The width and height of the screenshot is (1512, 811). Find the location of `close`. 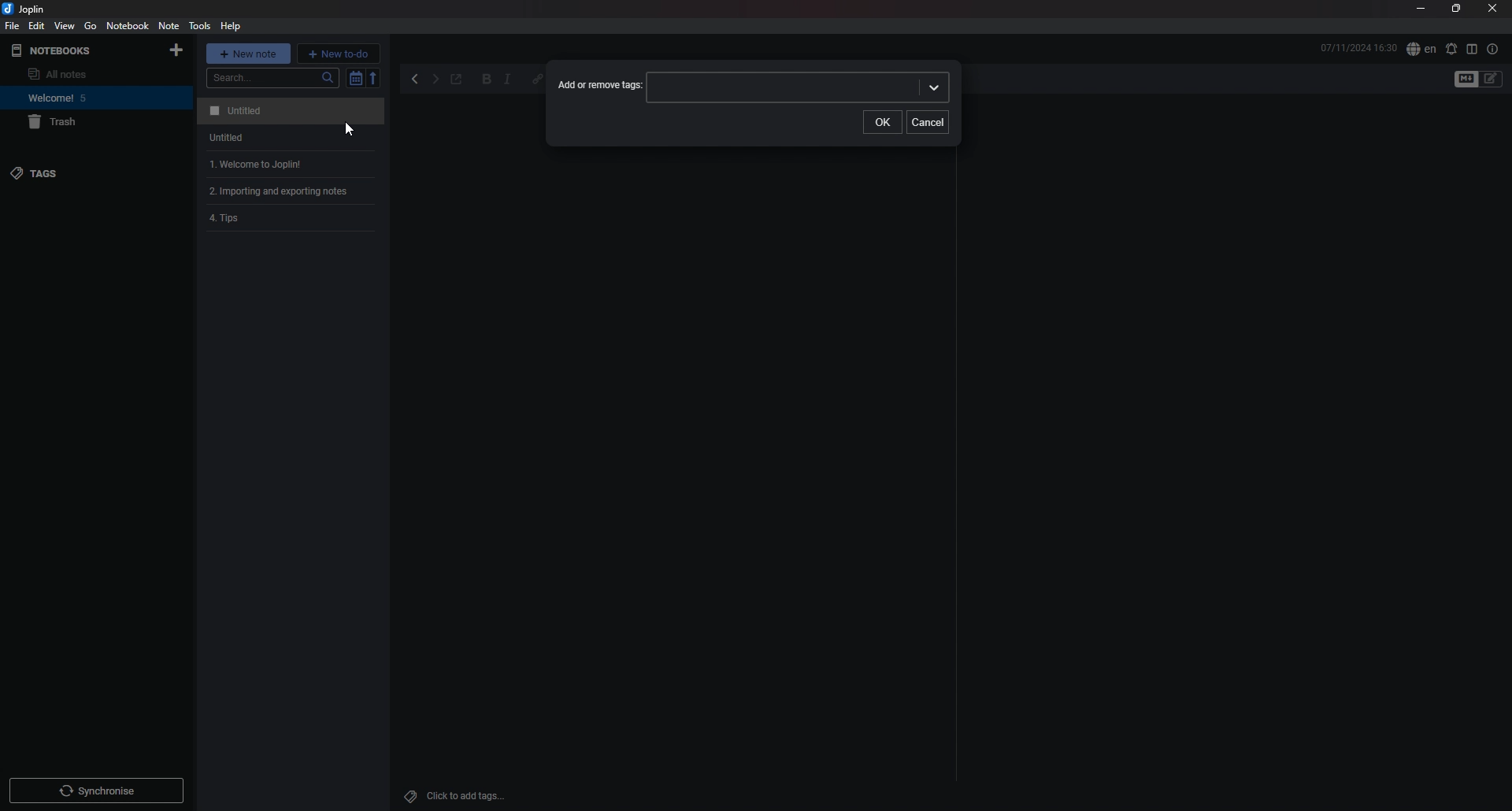

close is located at coordinates (1492, 9).